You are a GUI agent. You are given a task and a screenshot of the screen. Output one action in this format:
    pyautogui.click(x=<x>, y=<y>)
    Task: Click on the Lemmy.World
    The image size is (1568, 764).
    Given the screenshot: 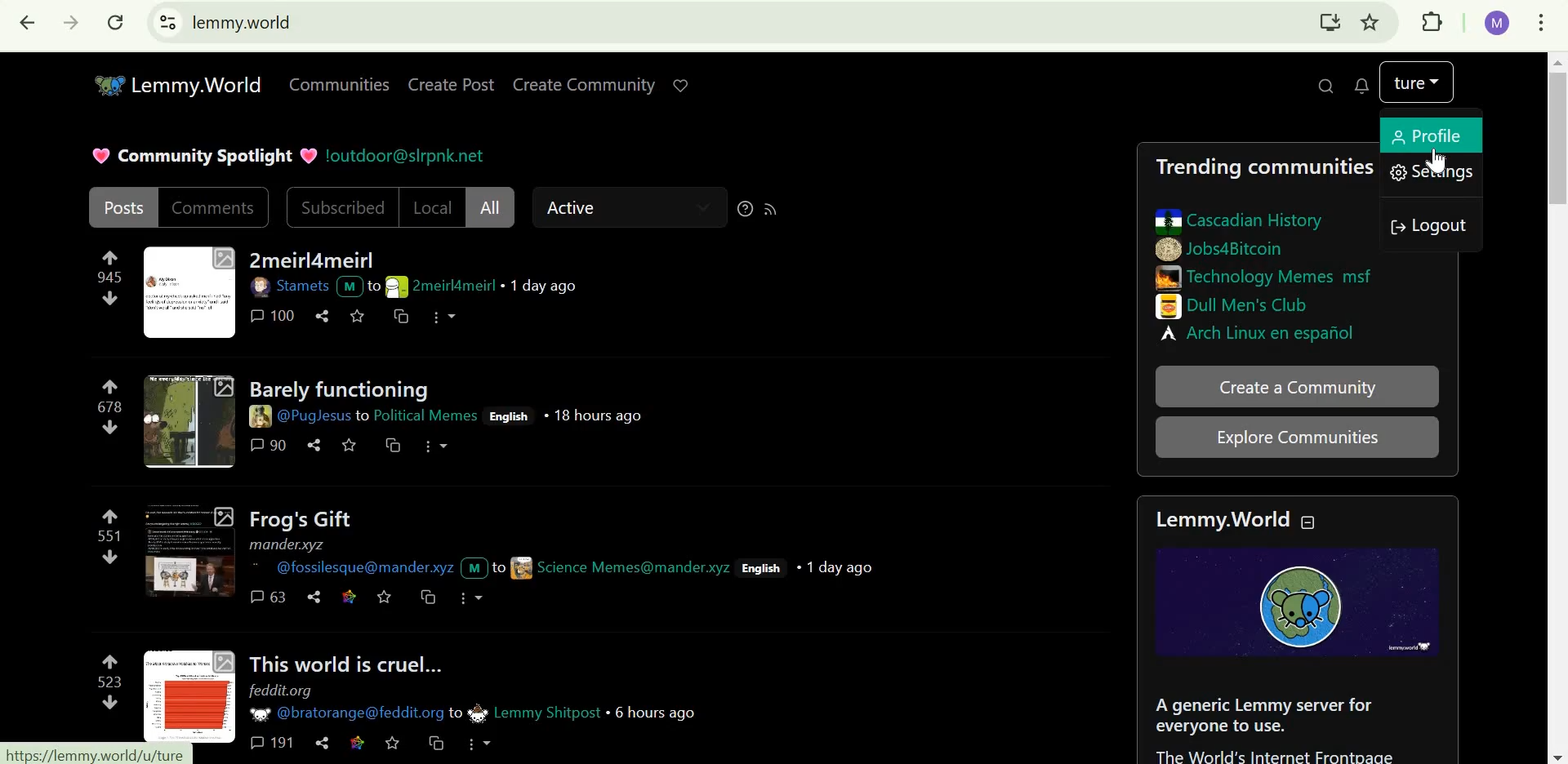 What is the action you would take?
    pyautogui.click(x=1217, y=520)
    